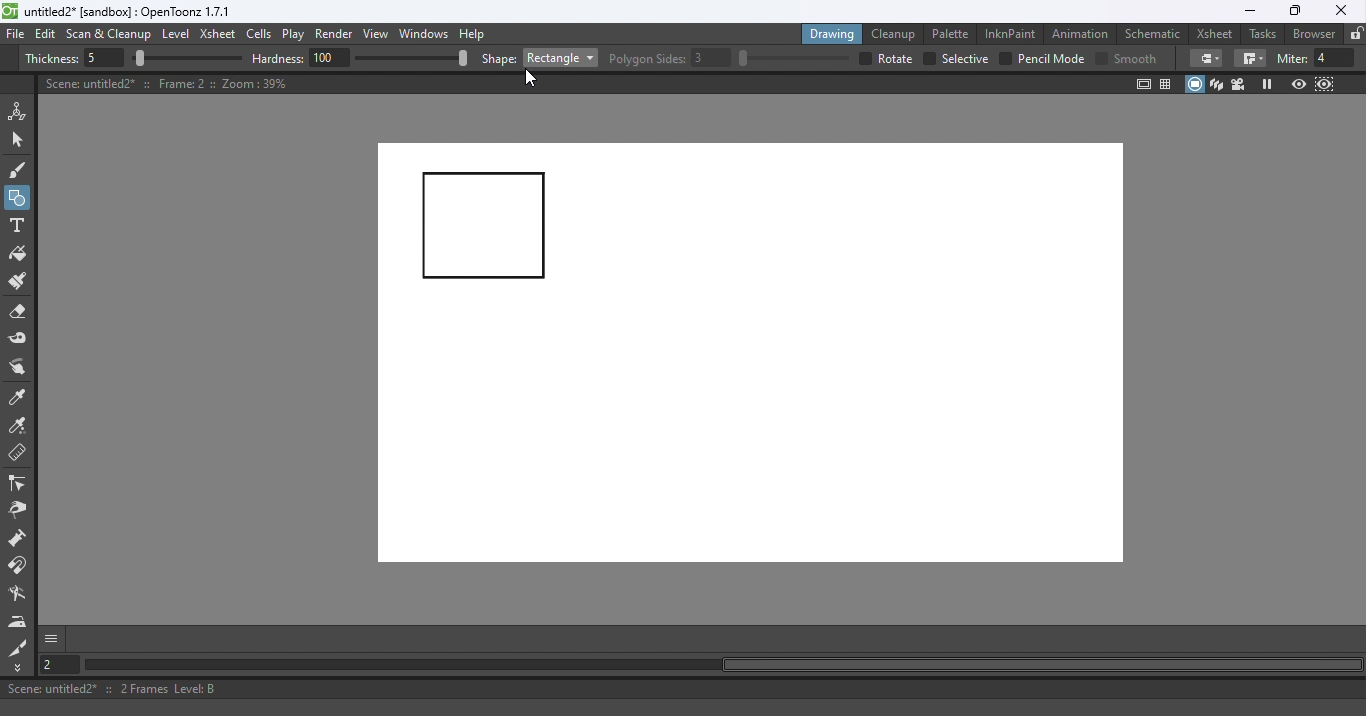  What do you see at coordinates (19, 668) in the screenshot?
I see `More Tools` at bounding box center [19, 668].